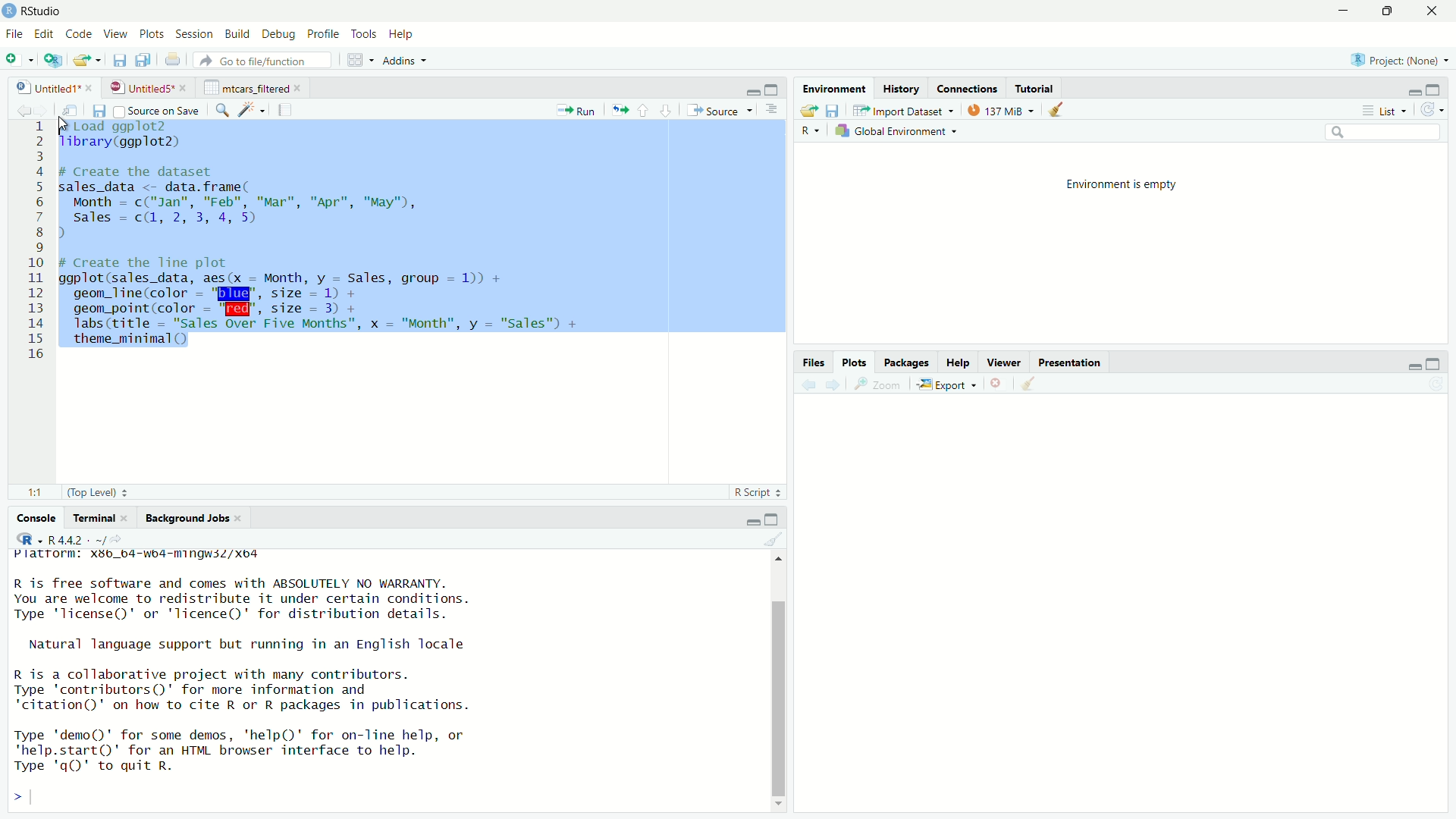 This screenshot has height=819, width=1456. What do you see at coordinates (1435, 109) in the screenshot?
I see `refresh` at bounding box center [1435, 109].